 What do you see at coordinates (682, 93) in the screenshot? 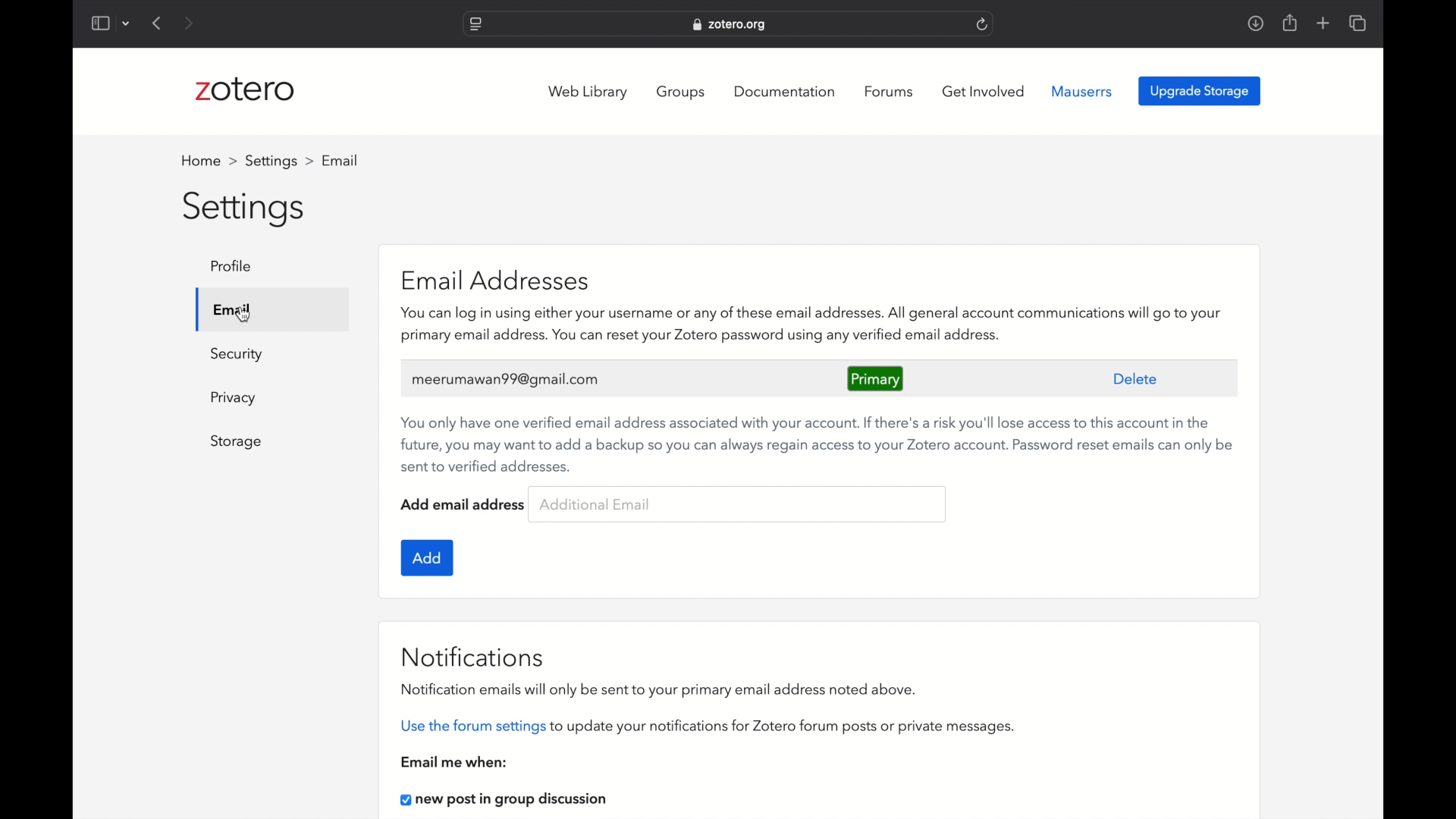
I see `groups` at bounding box center [682, 93].